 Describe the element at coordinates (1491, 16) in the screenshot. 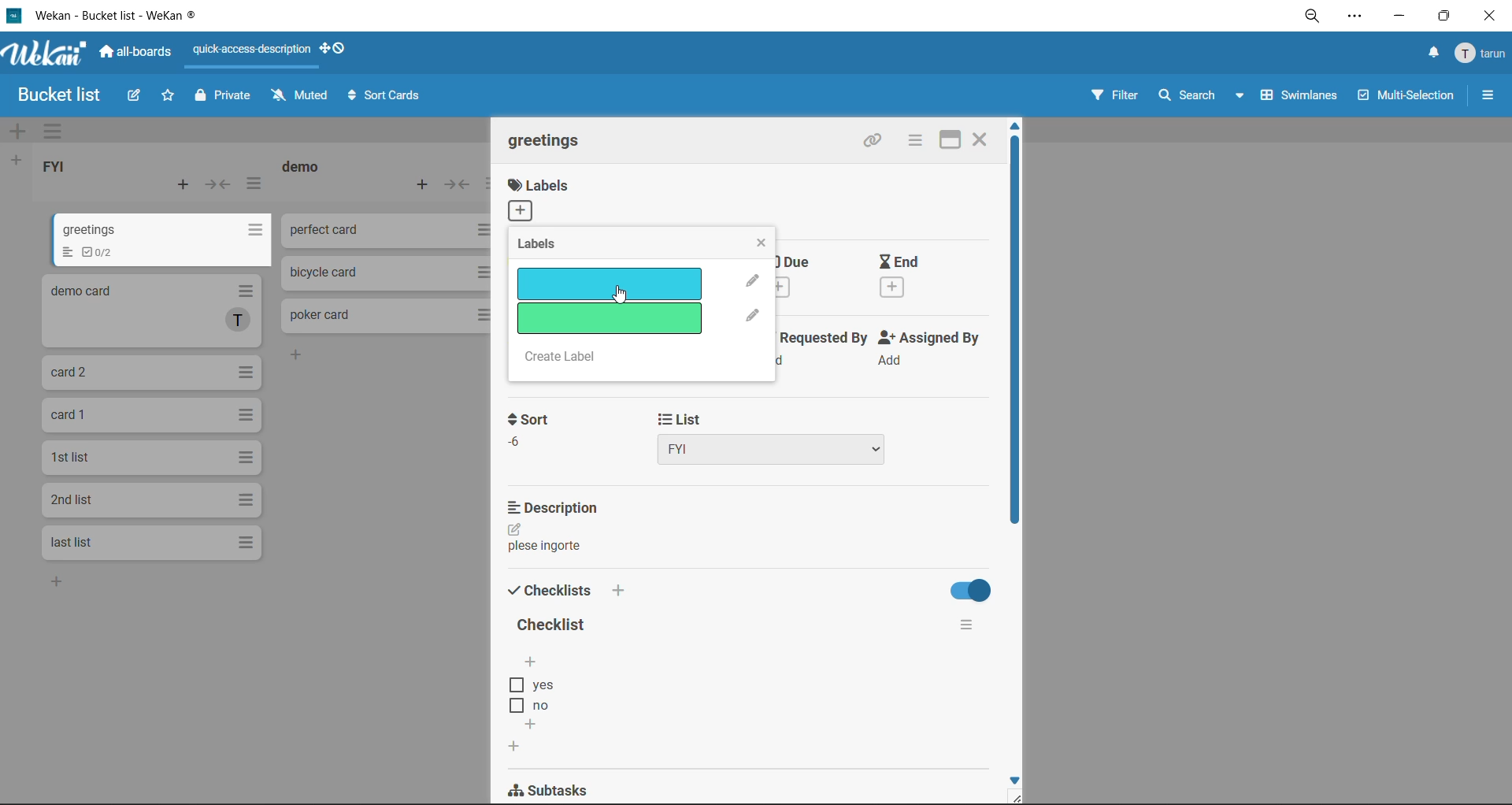

I see `close` at that location.